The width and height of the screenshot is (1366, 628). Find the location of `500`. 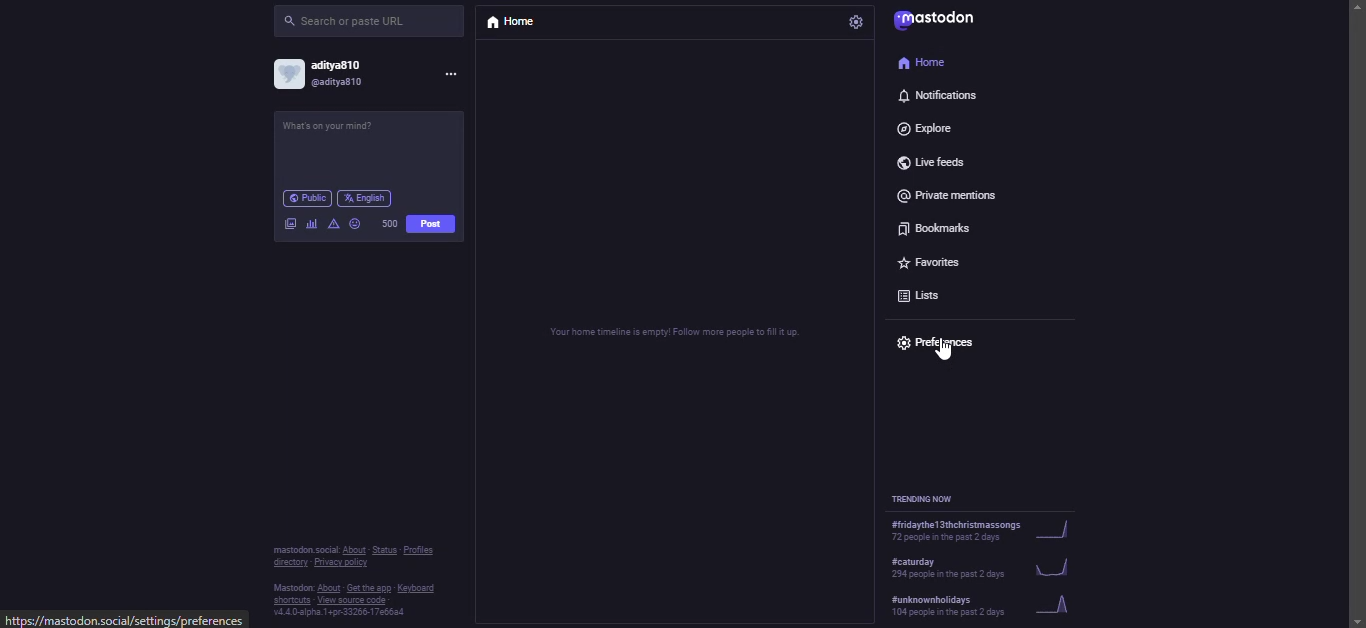

500 is located at coordinates (386, 222).